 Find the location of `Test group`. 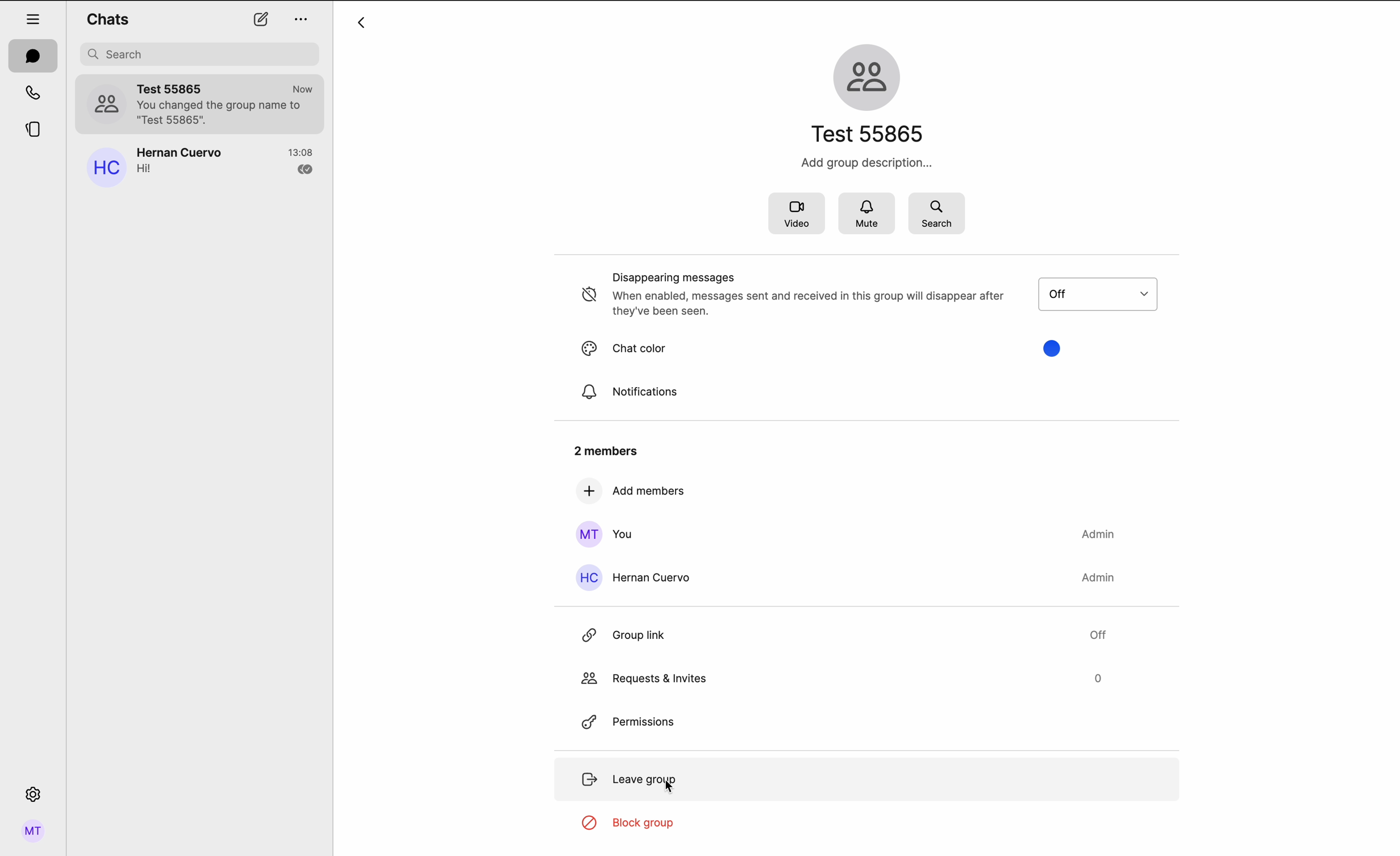

Test group is located at coordinates (227, 104).